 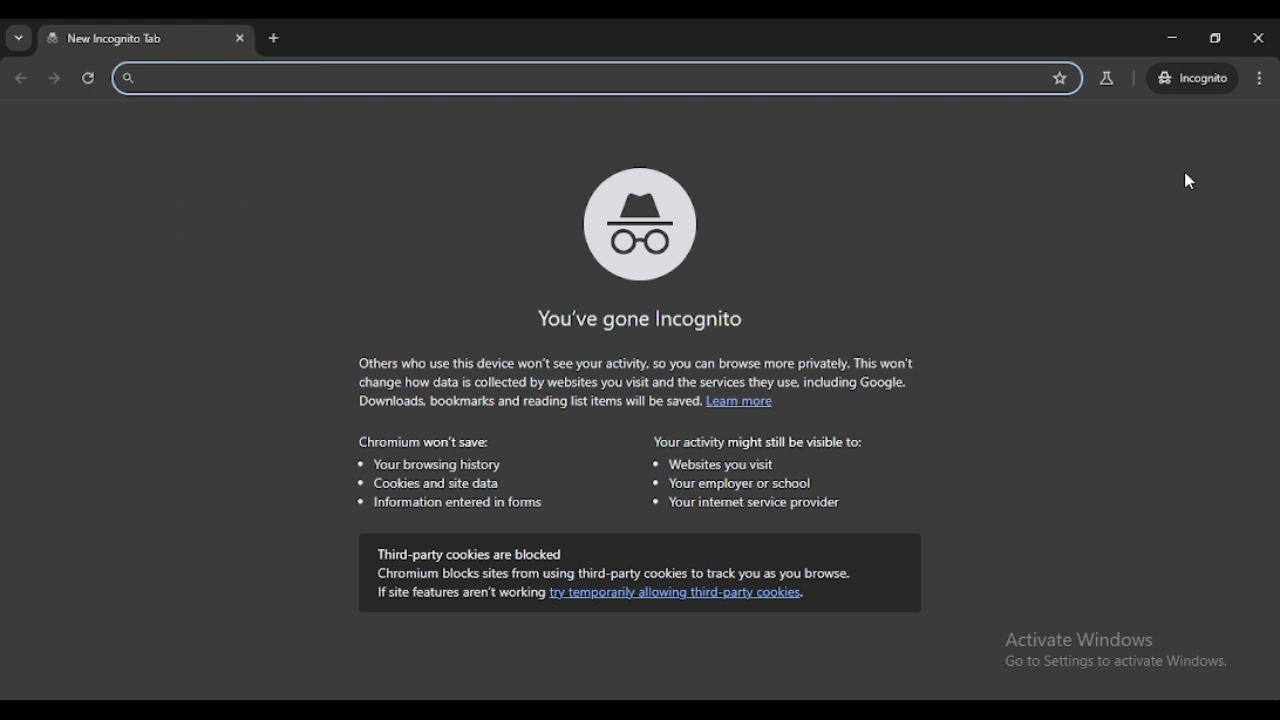 I want to click on search tabs, so click(x=18, y=39).